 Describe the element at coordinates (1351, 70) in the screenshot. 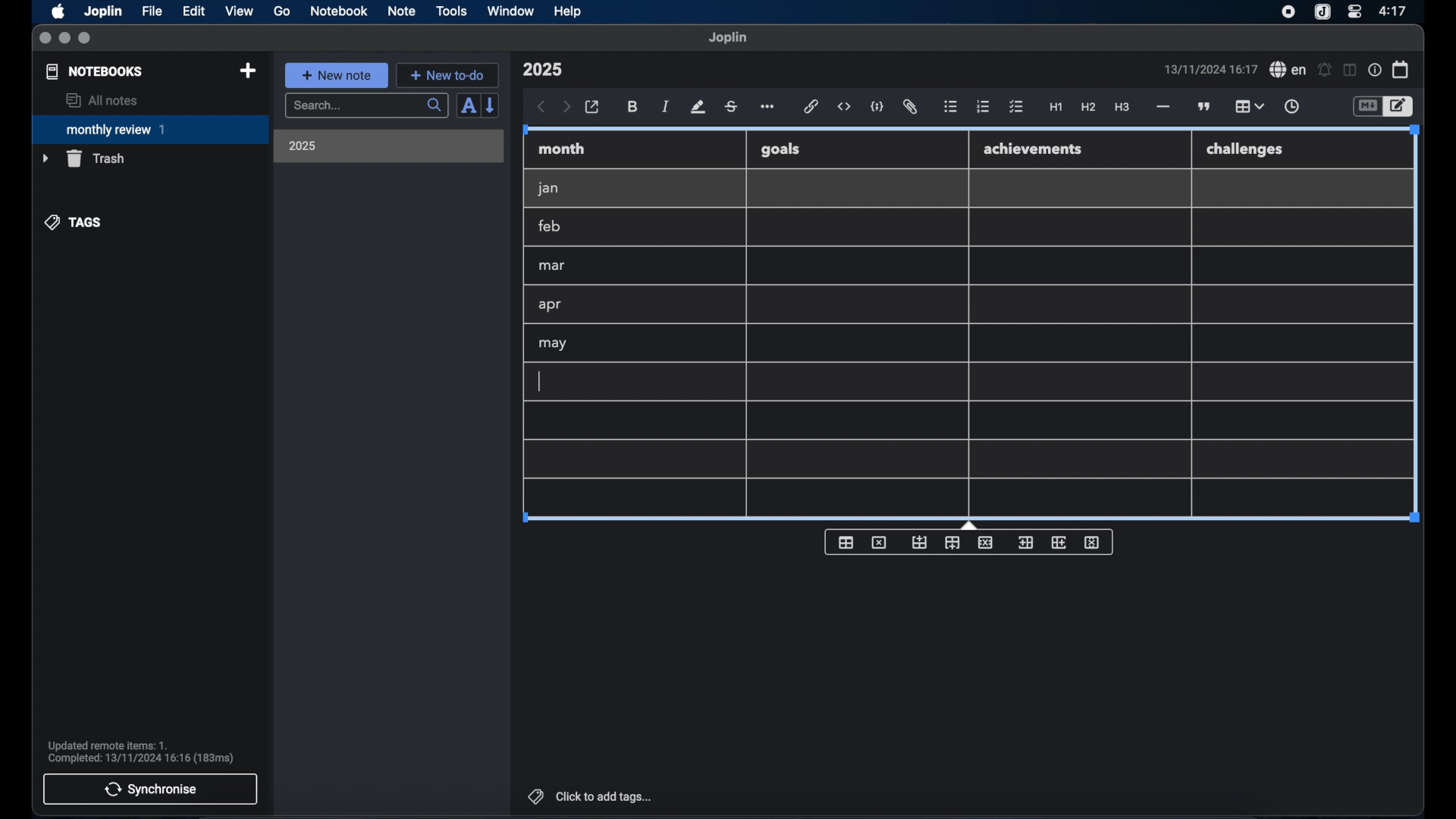

I see `toggle editor layout` at that location.